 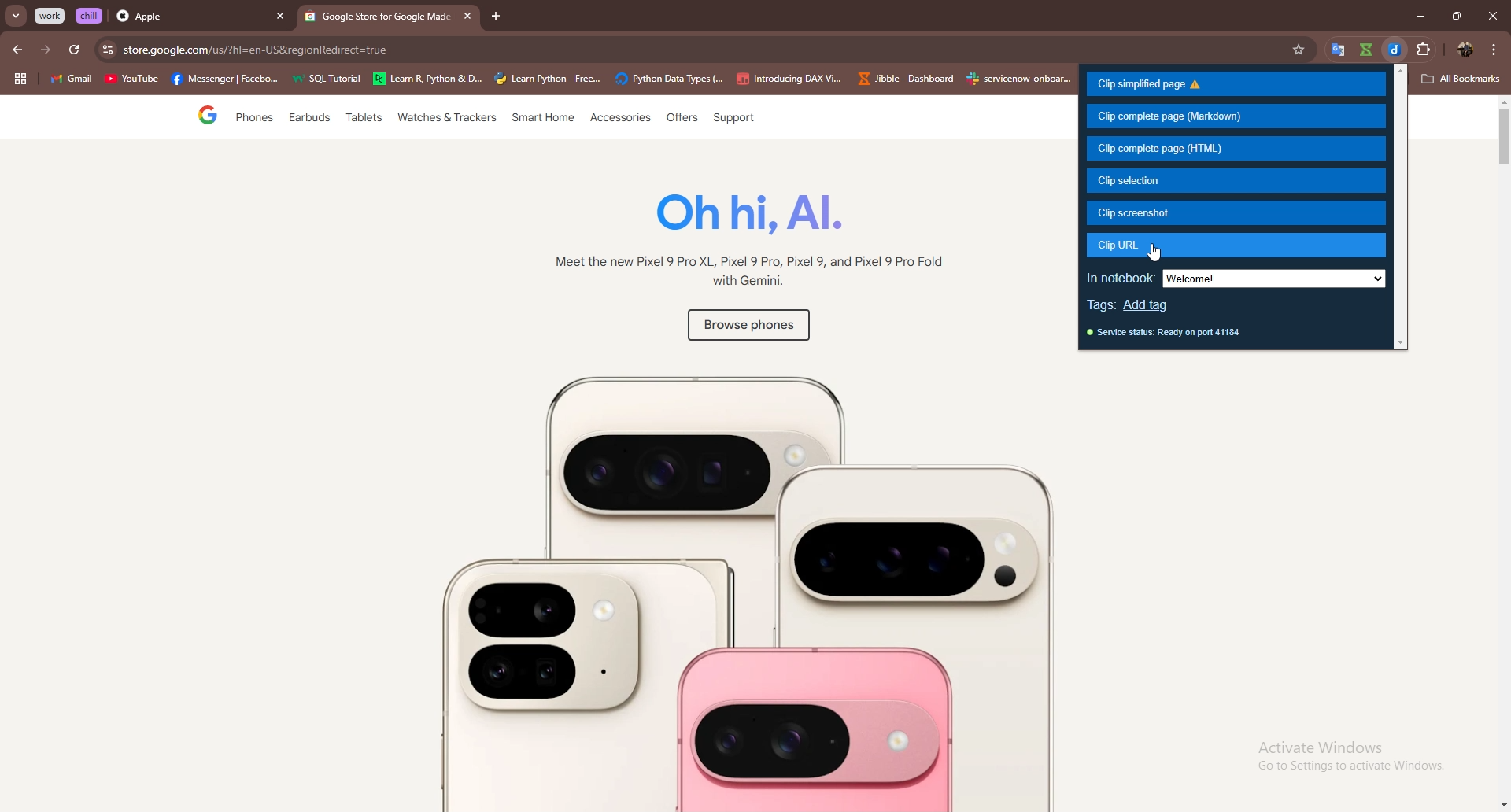 I want to click on options, so click(x=1494, y=49).